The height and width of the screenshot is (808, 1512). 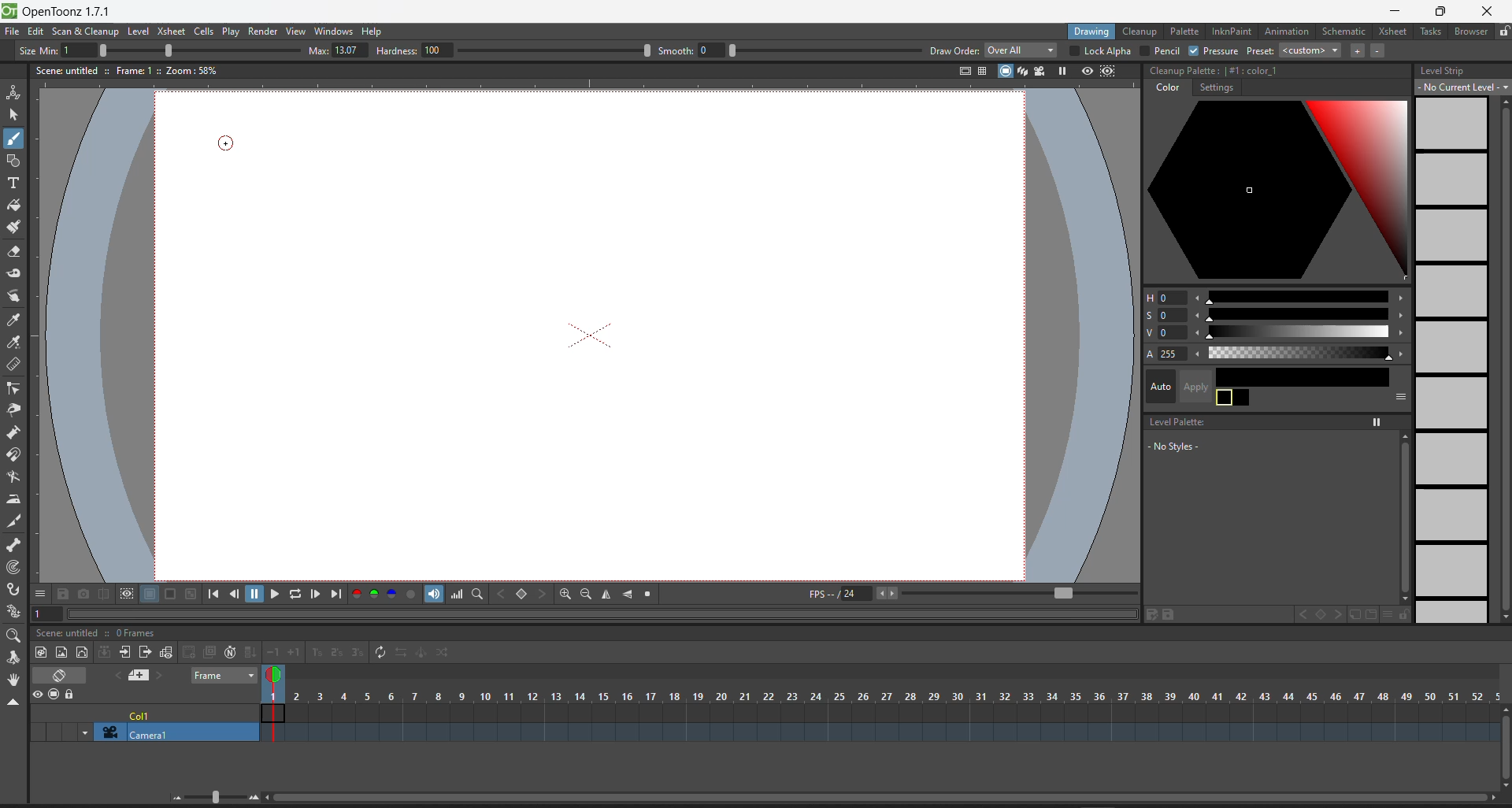 What do you see at coordinates (170, 29) in the screenshot?
I see `xsheet` at bounding box center [170, 29].